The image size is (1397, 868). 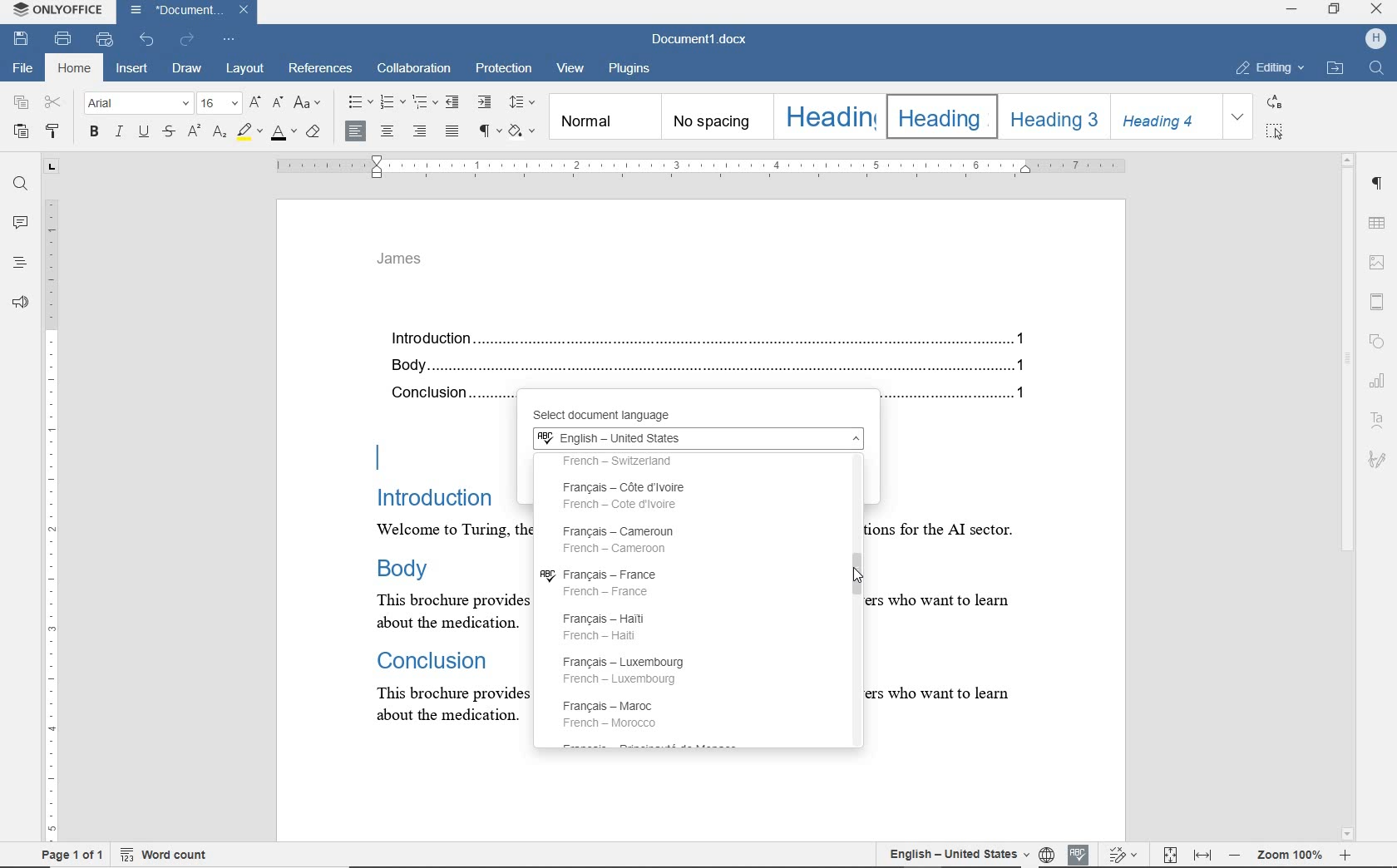 I want to click on François - France, so click(x=605, y=582).